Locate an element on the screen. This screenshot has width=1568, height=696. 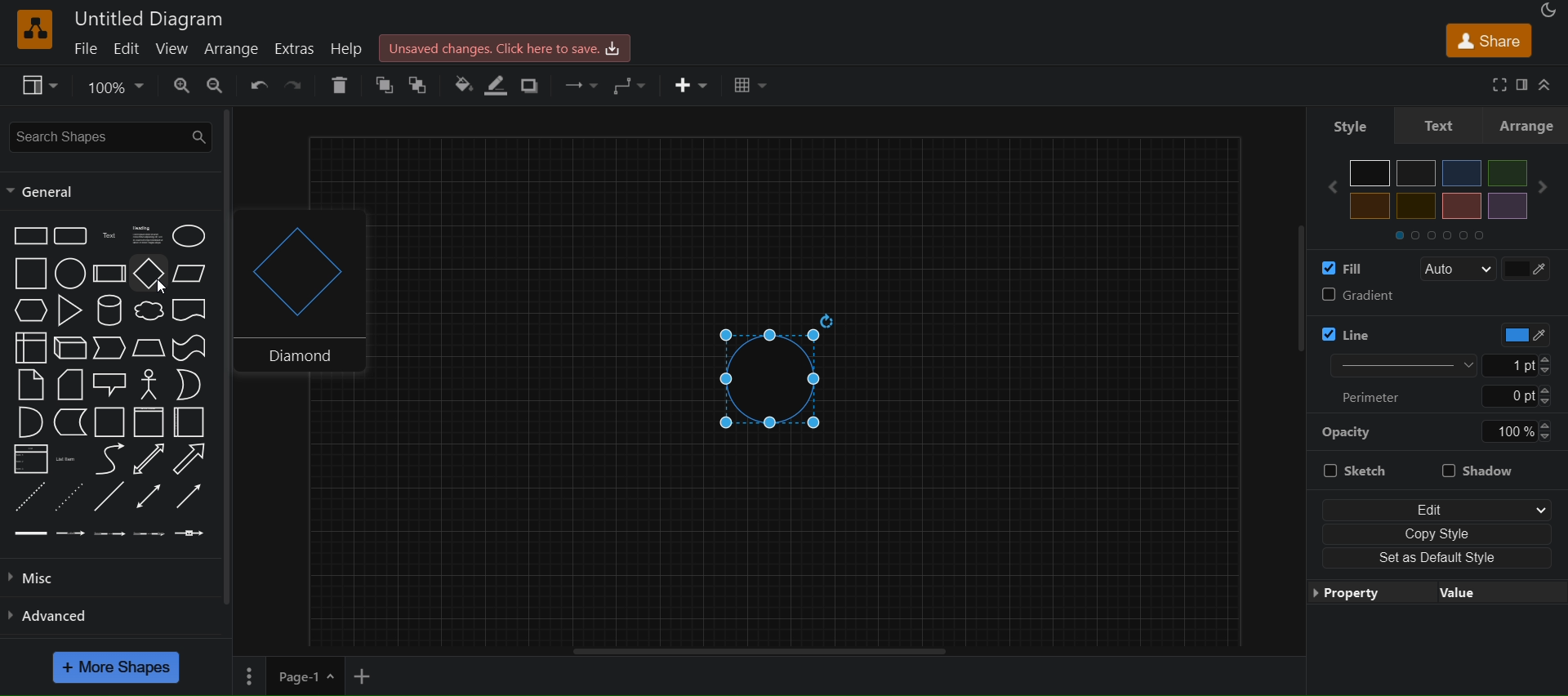
misc is located at coordinates (51, 577).